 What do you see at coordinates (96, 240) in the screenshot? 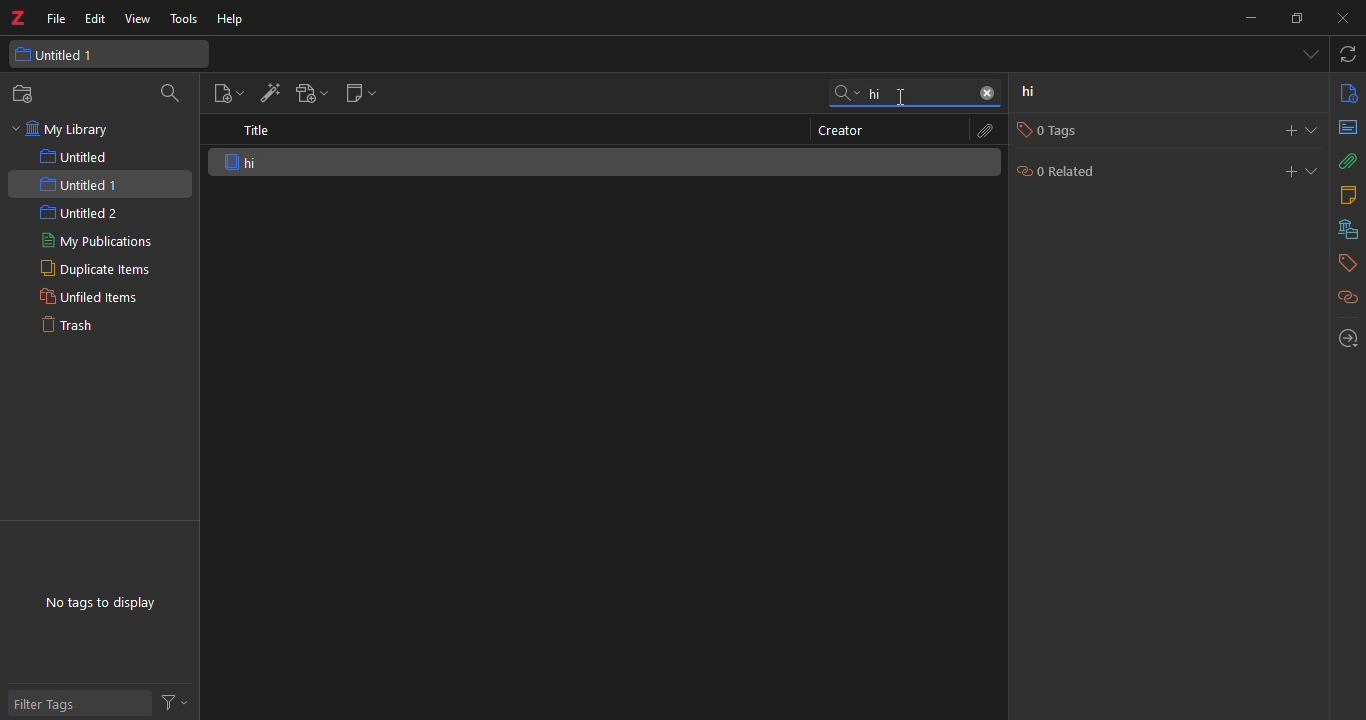
I see `my publications` at bounding box center [96, 240].